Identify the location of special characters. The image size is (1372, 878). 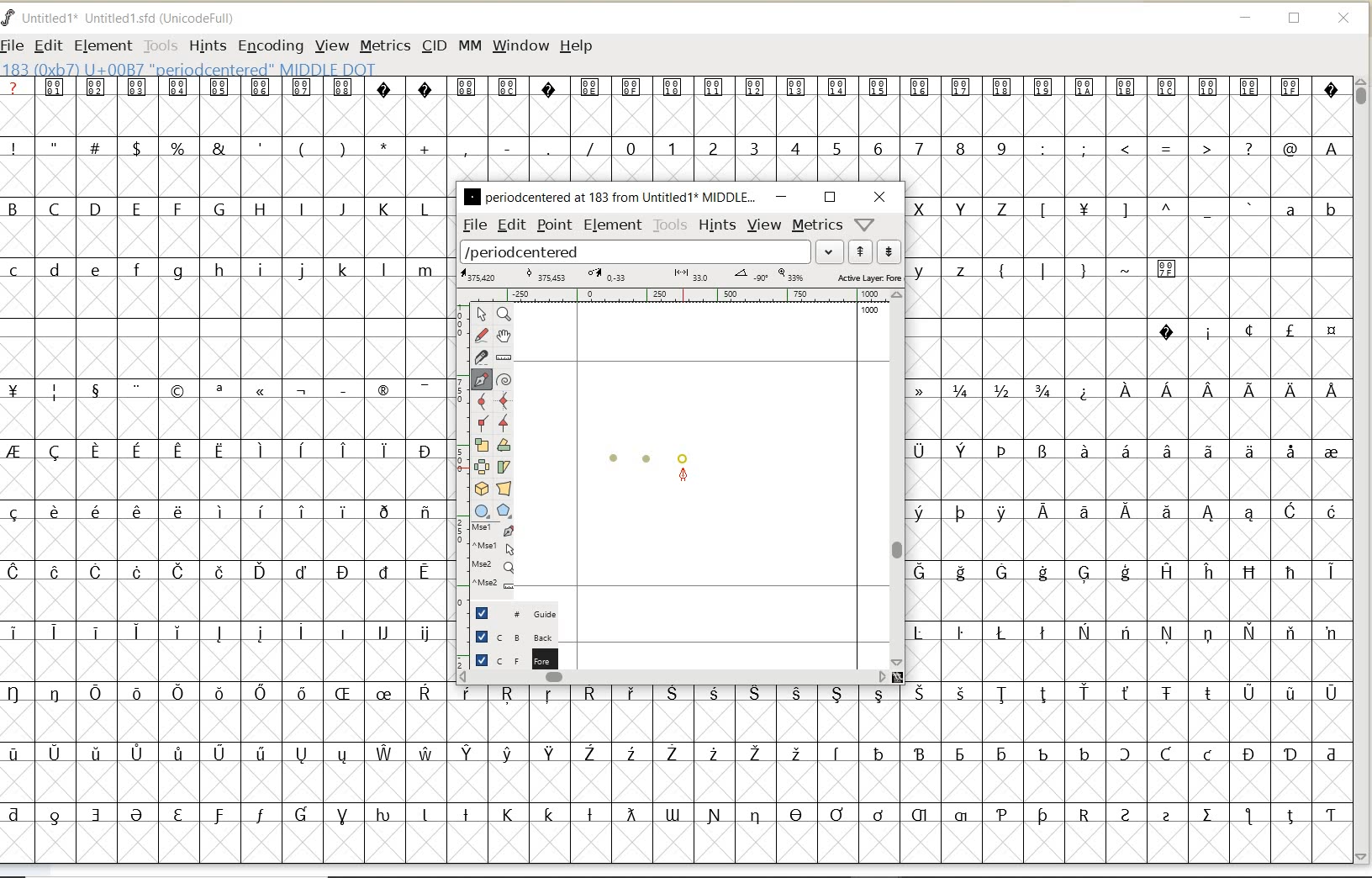
(300, 147).